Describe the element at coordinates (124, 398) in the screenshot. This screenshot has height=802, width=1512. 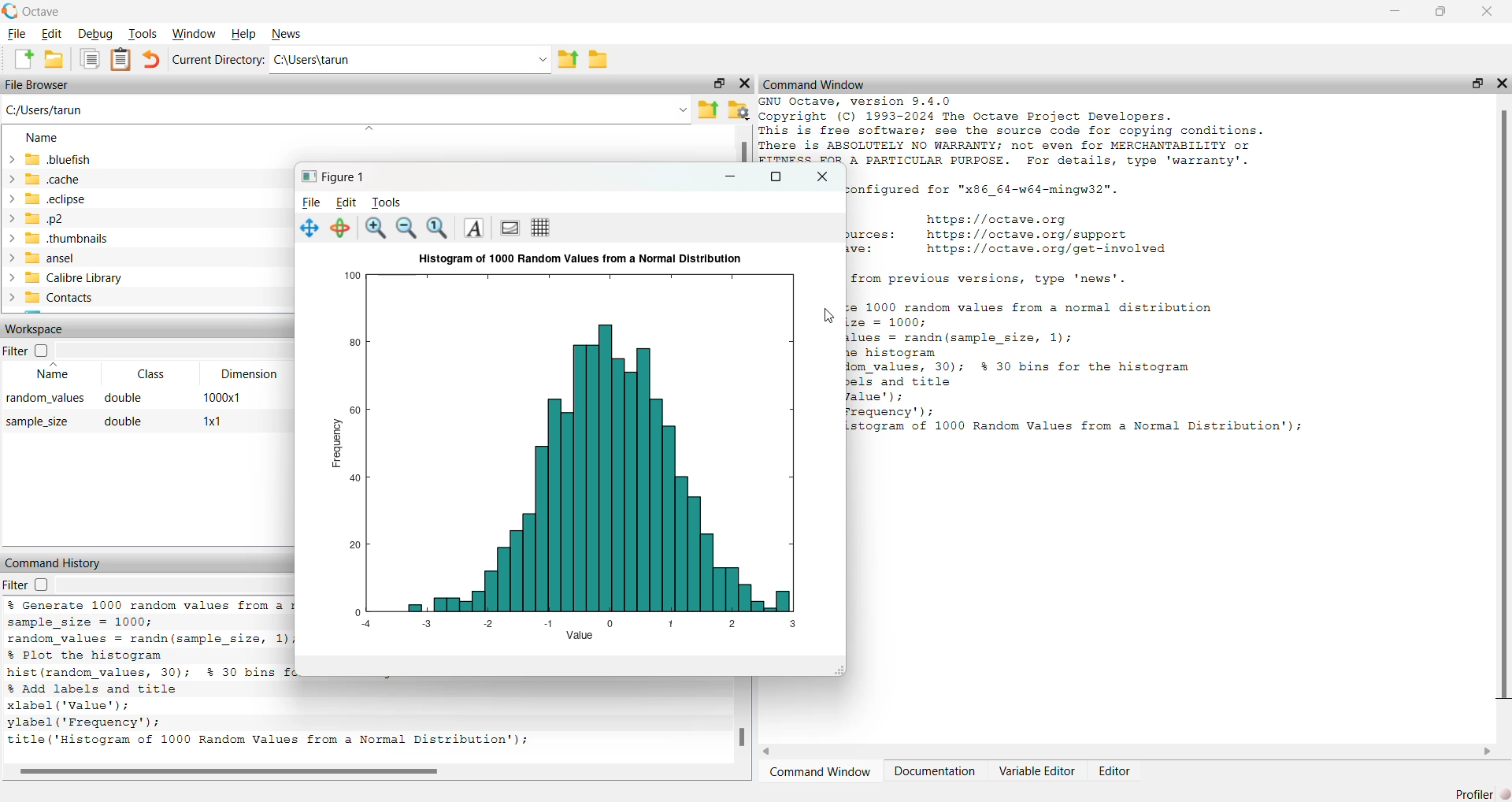
I see `double` at that location.